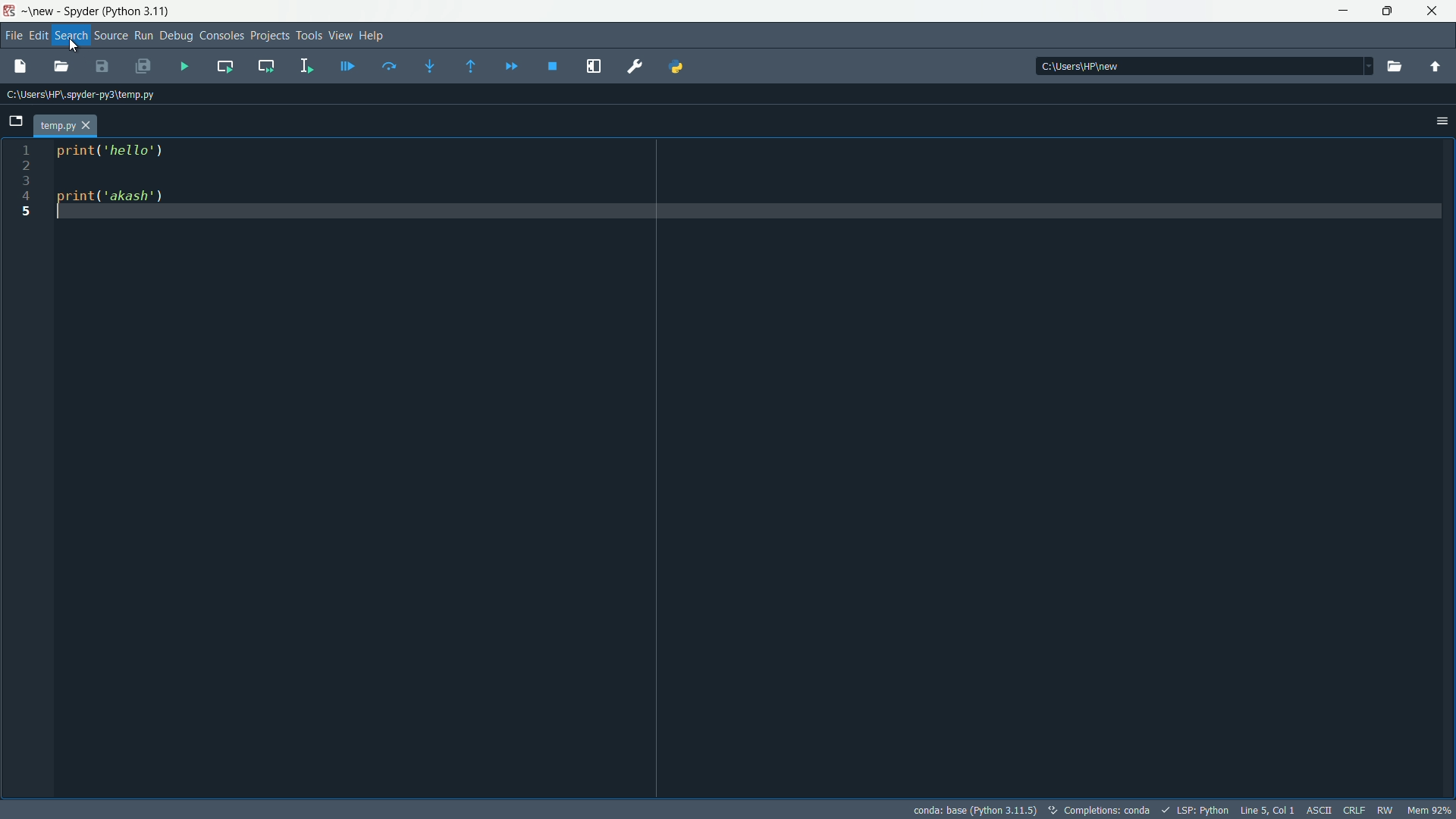  What do you see at coordinates (77, 50) in the screenshot?
I see `cursor` at bounding box center [77, 50].